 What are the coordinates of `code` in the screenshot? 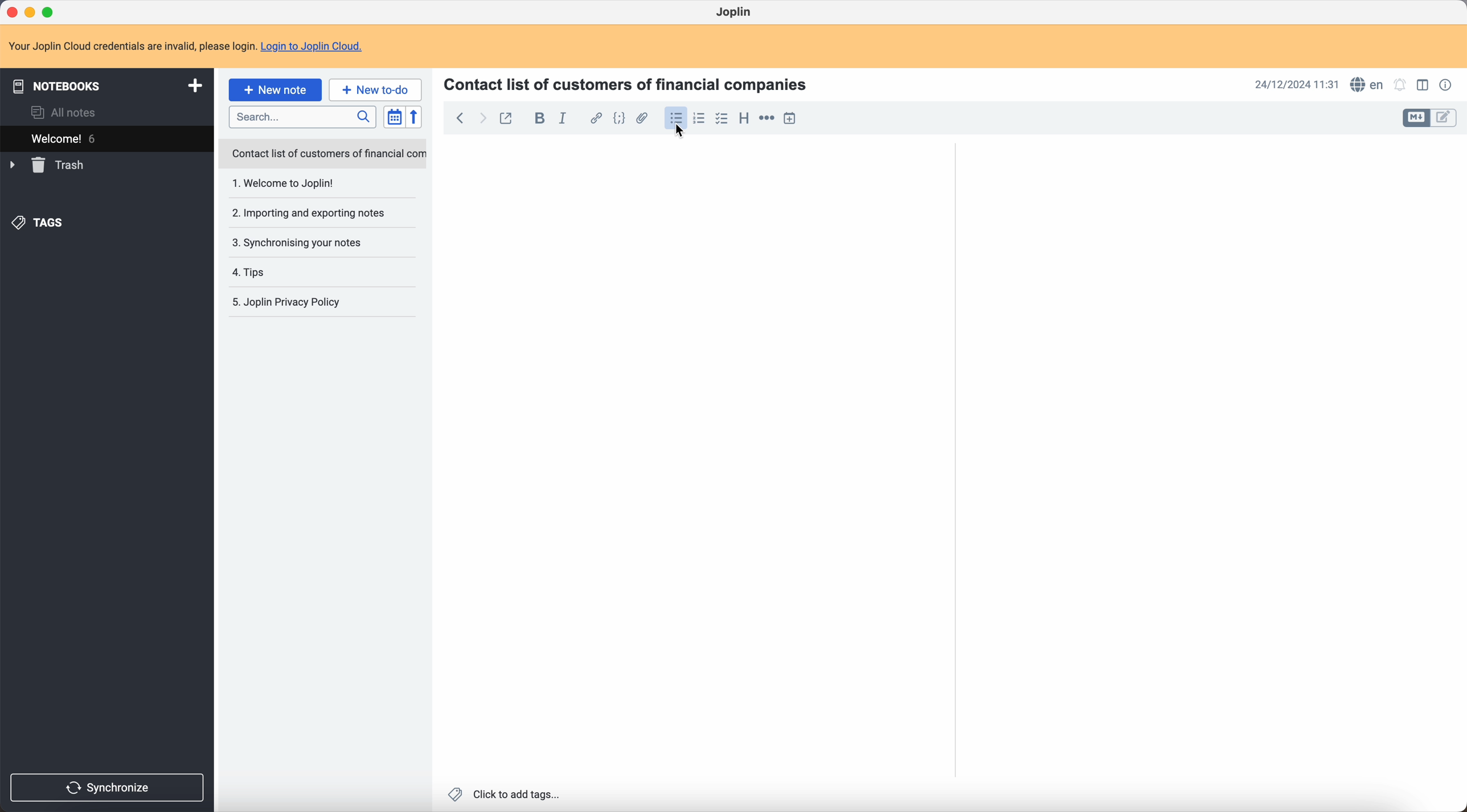 It's located at (619, 119).